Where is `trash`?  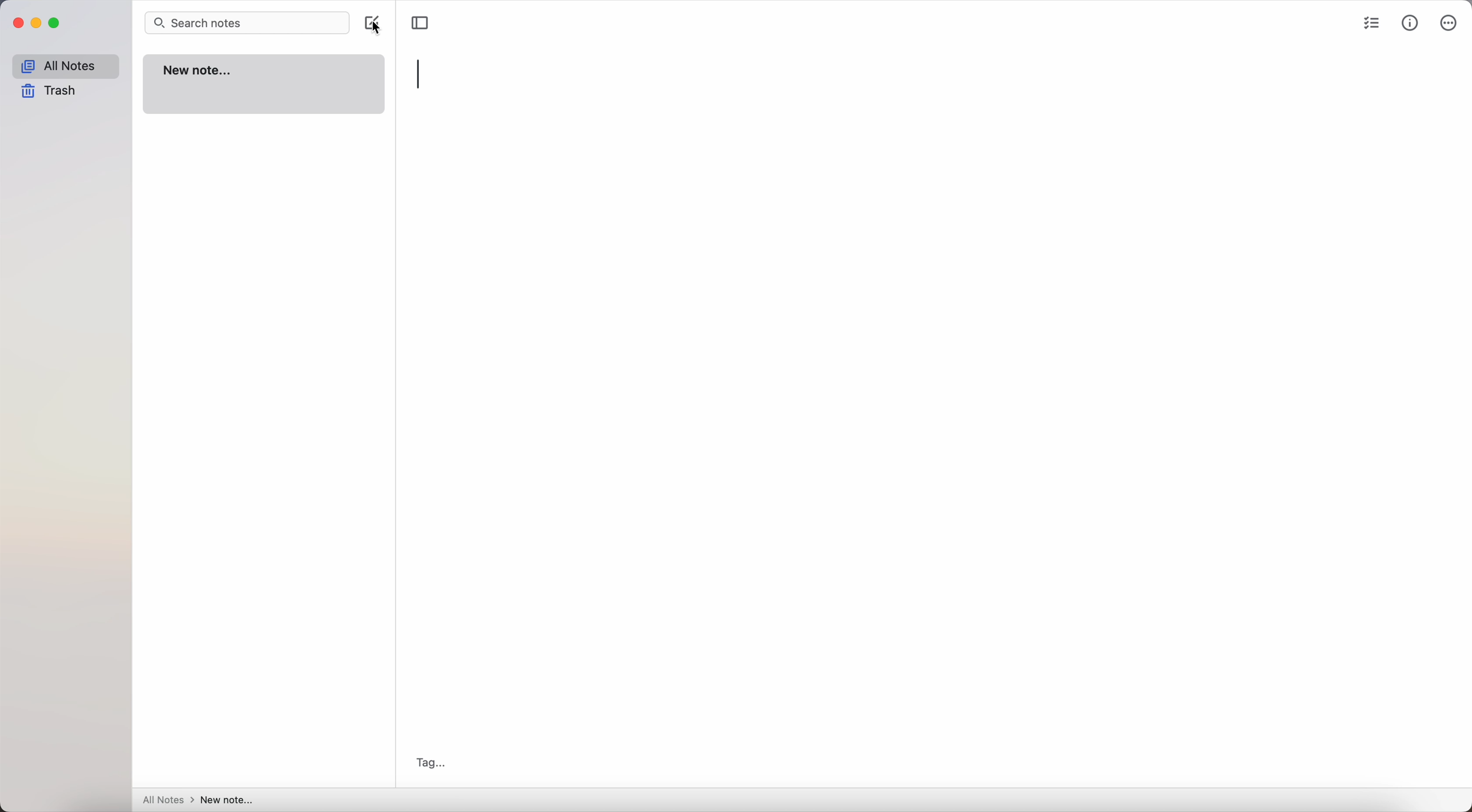 trash is located at coordinates (49, 91).